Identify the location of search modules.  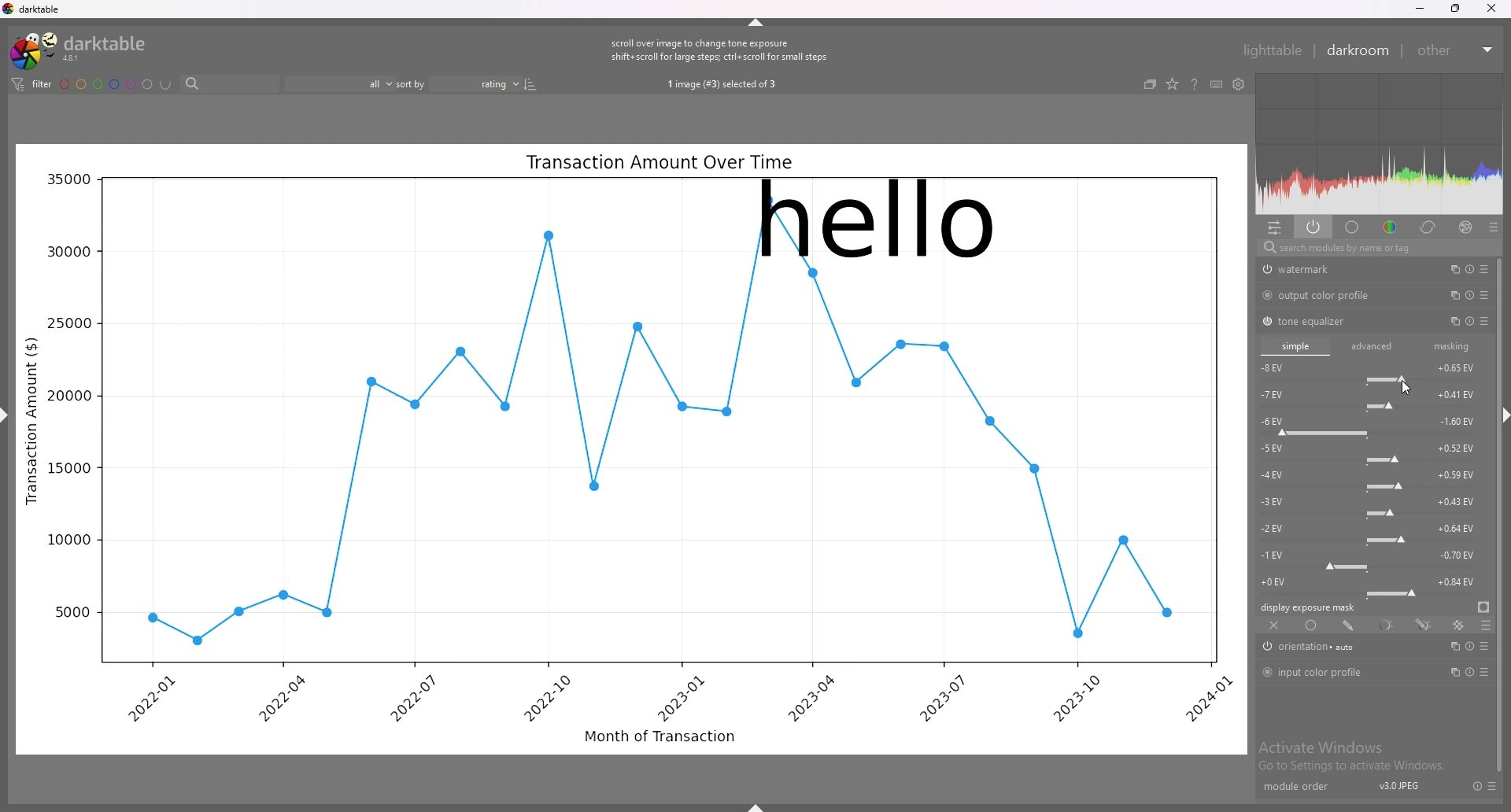
(1377, 248).